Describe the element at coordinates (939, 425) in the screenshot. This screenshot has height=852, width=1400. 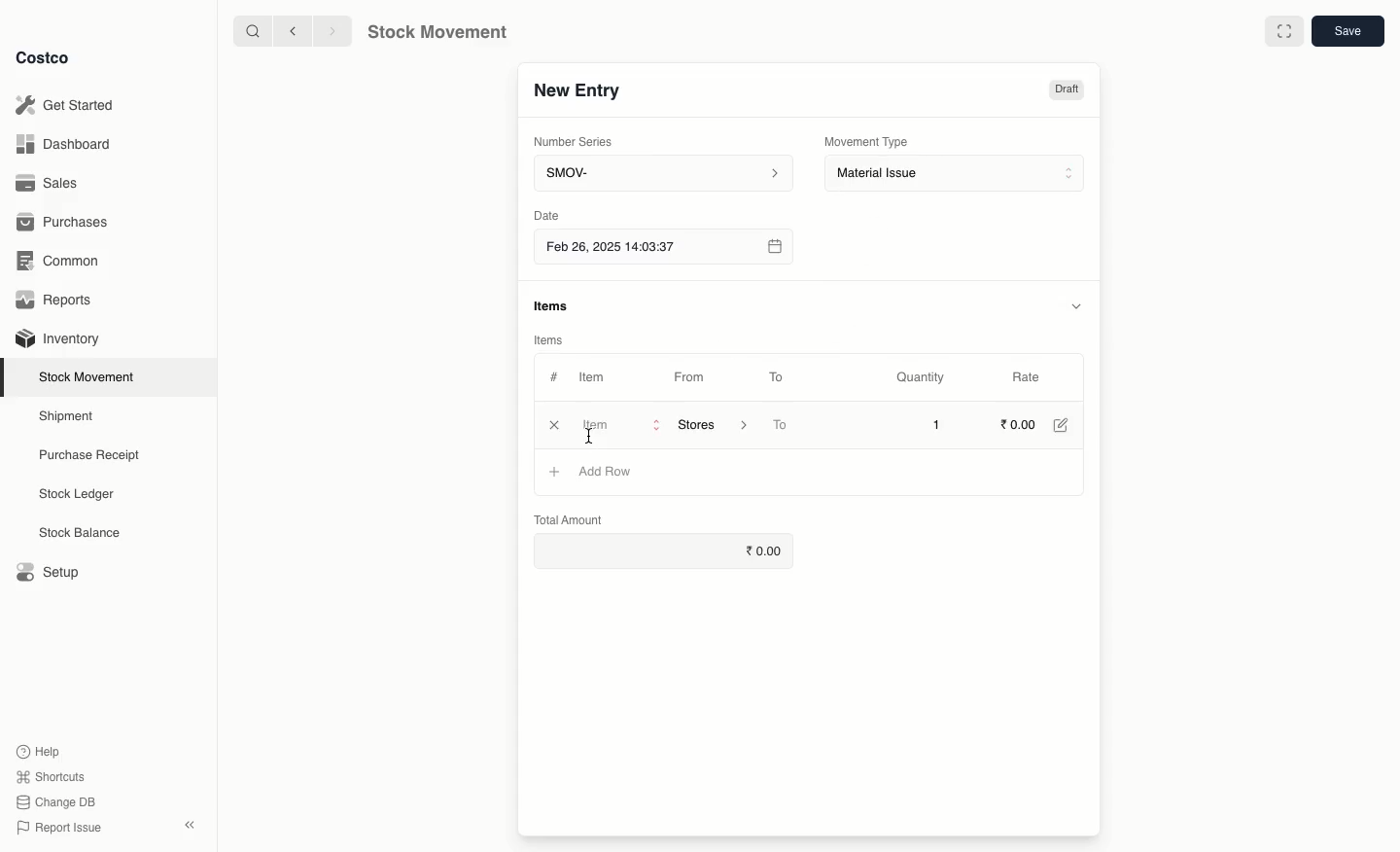
I see `1` at that location.